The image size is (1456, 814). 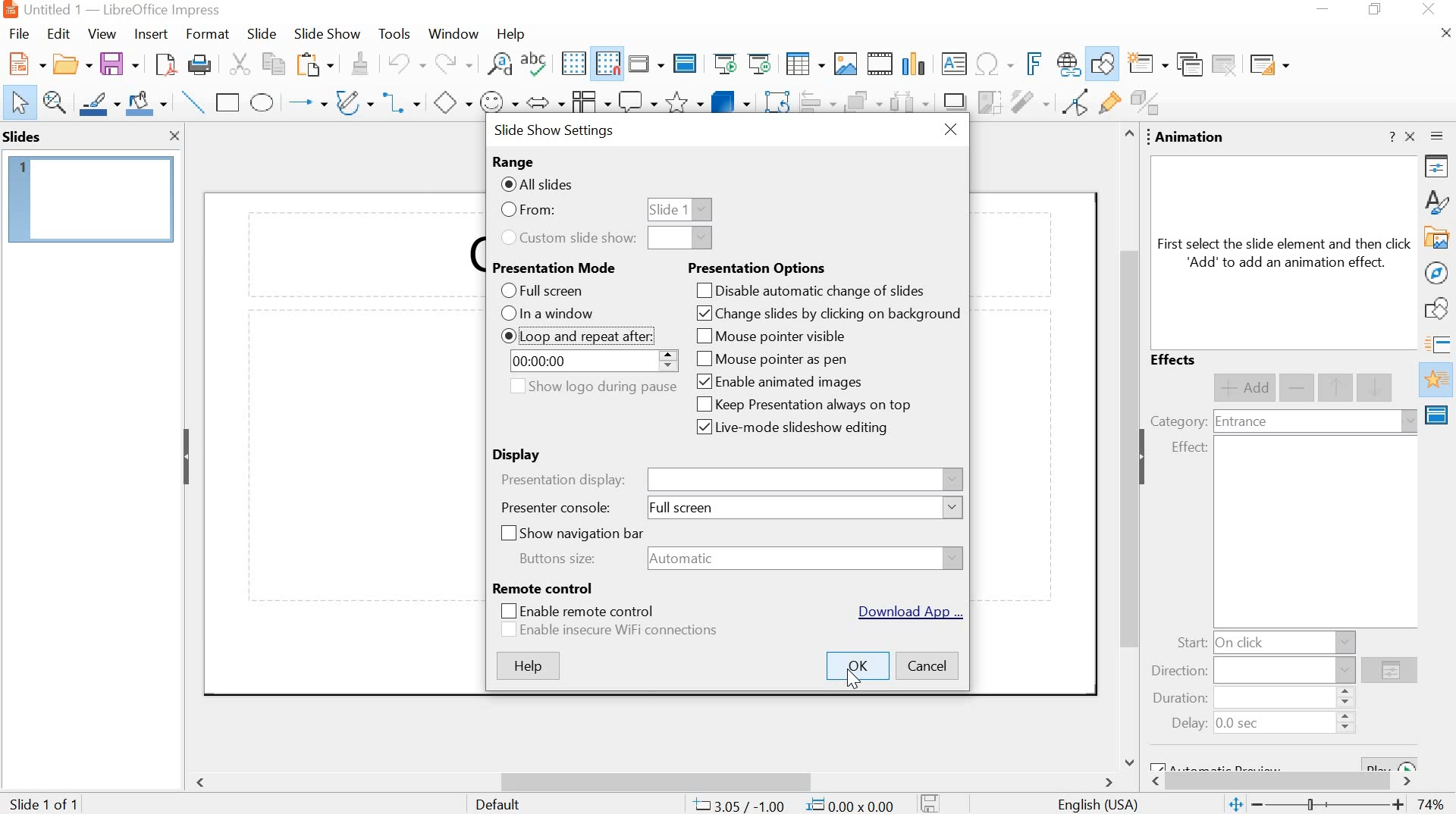 What do you see at coordinates (573, 64) in the screenshot?
I see `display grid` at bounding box center [573, 64].